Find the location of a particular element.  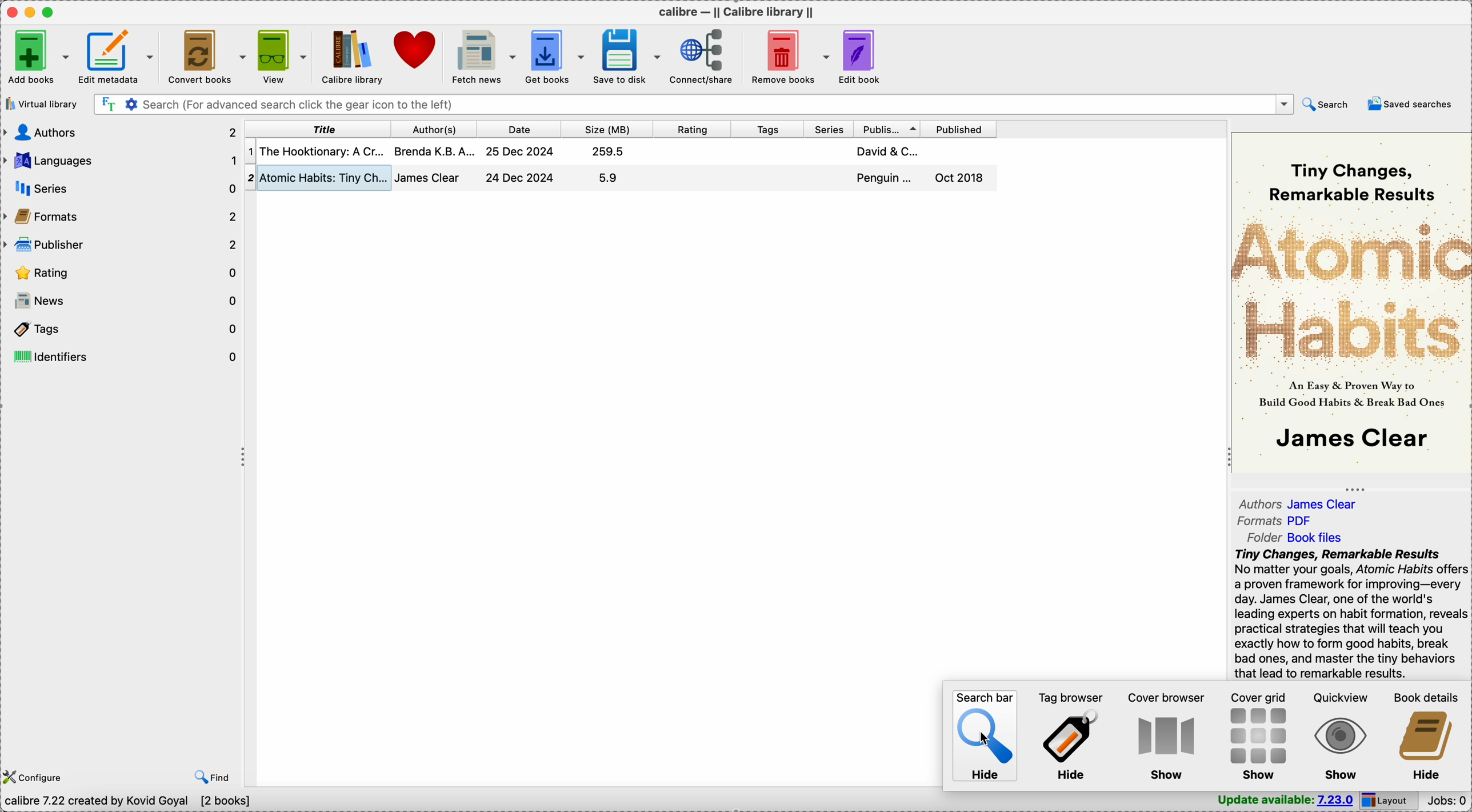

the hooktionary: a cr... is located at coordinates (322, 151).